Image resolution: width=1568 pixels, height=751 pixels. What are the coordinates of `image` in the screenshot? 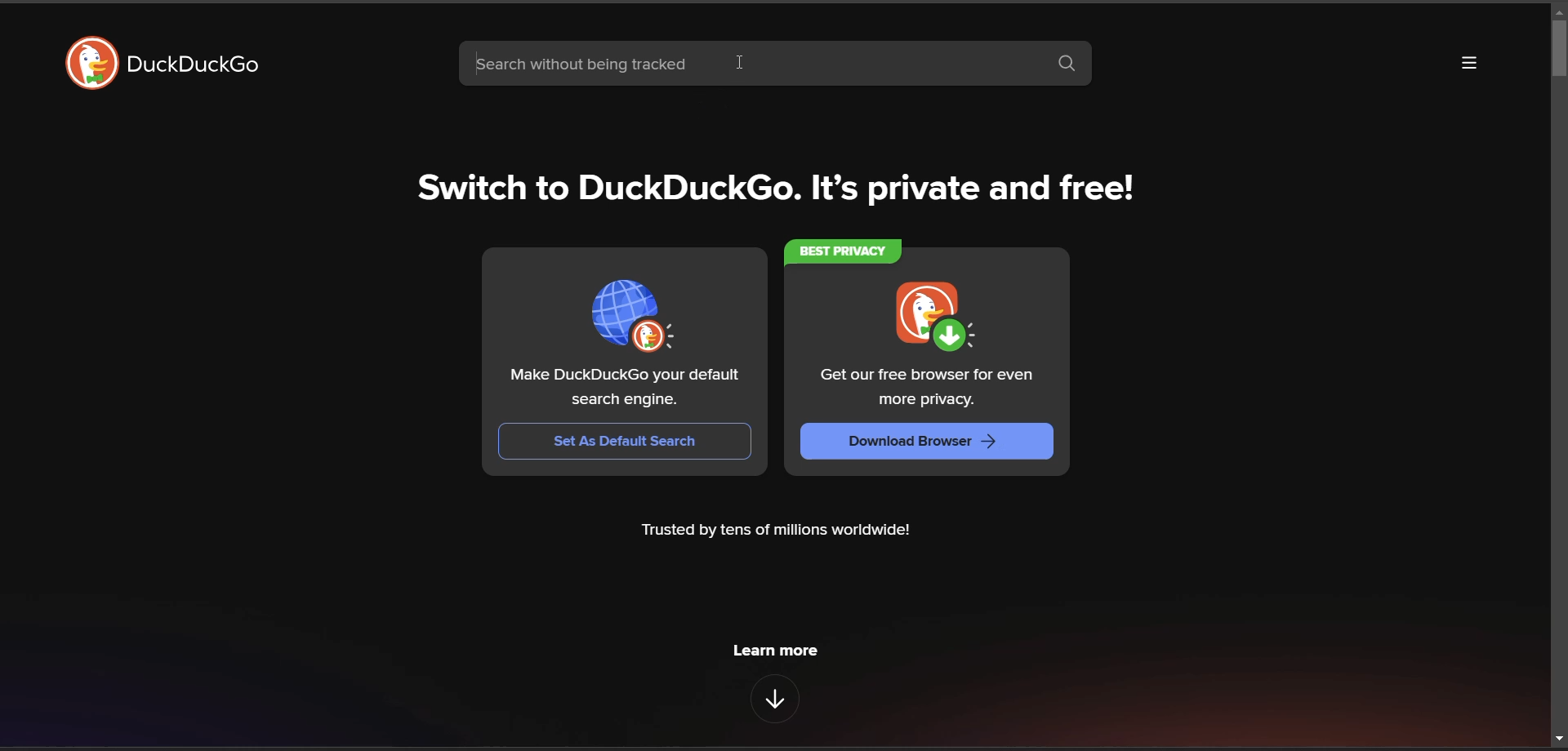 It's located at (934, 318).